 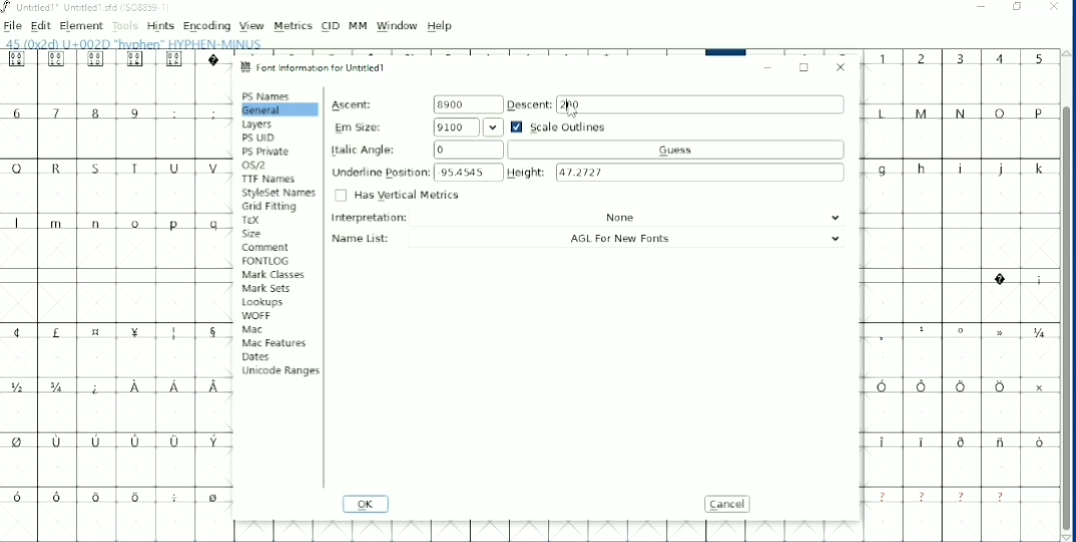 What do you see at coordinates (206, 26) in the screenshot?
I see `Encoding` at bounding box center [206, 26].